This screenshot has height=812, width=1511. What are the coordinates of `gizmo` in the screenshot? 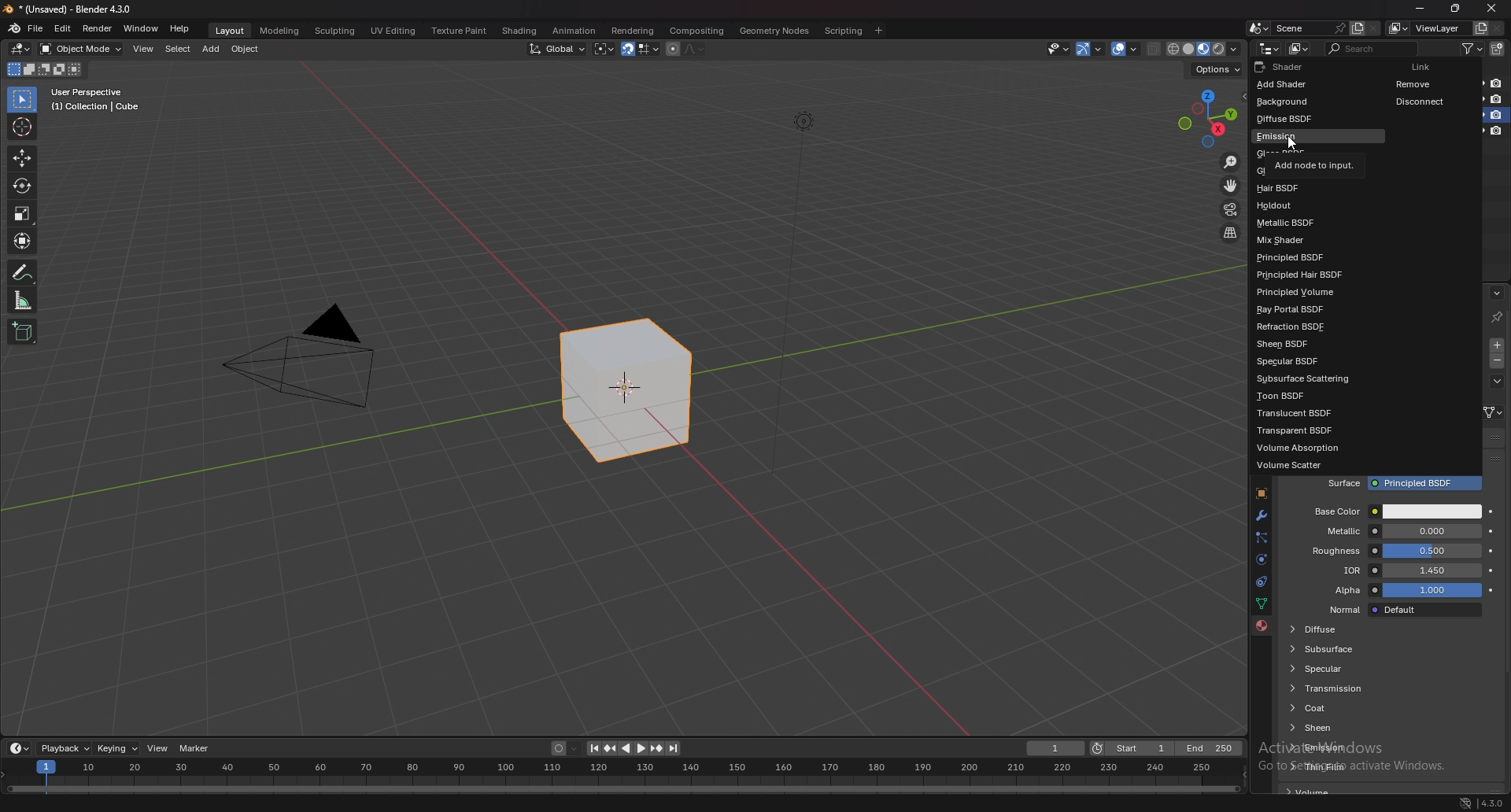 It's located at (1093, 48).